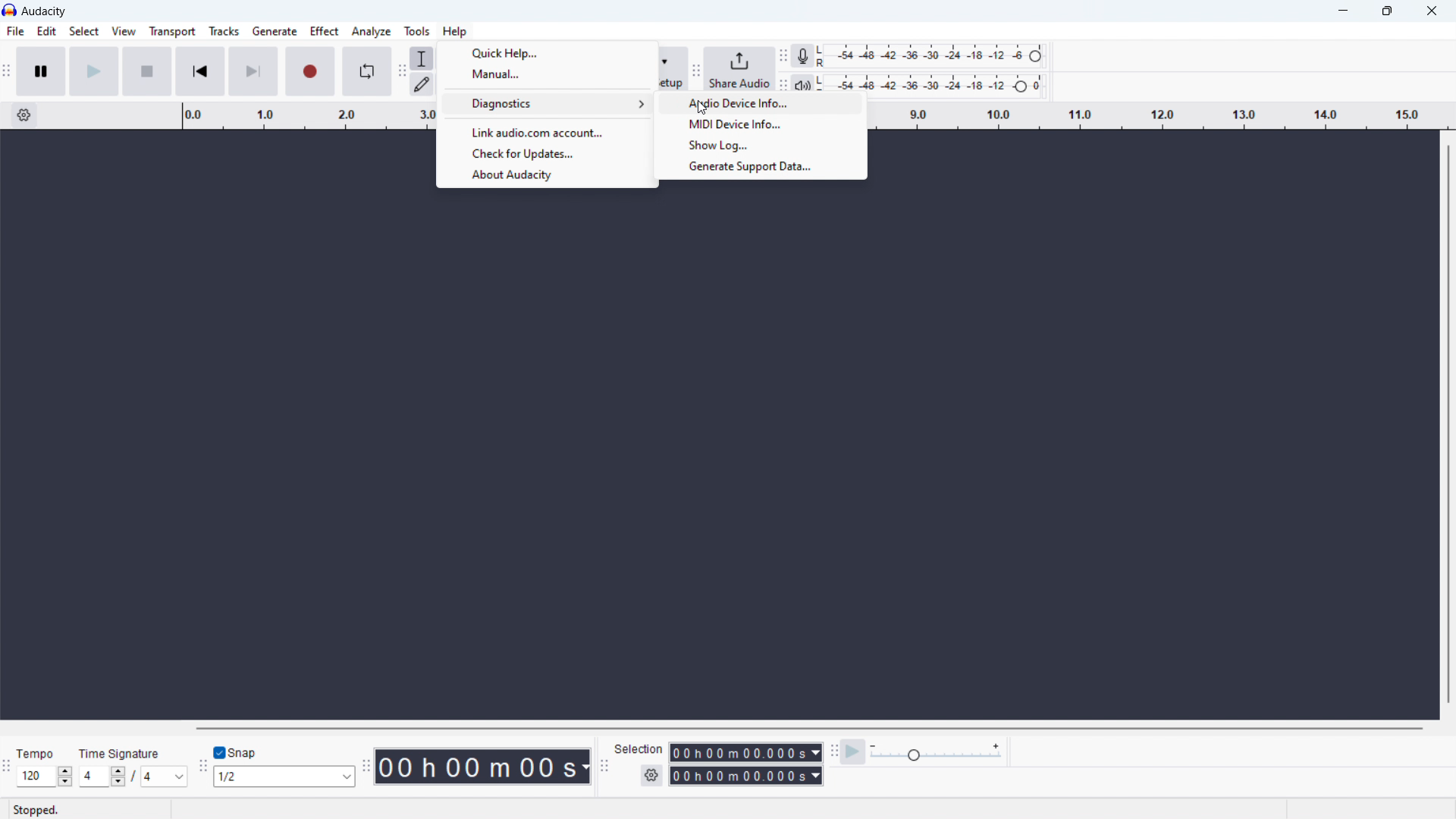 This screenshot has width=1456, height=819. I want to click on draw tool, so click(422, 84).